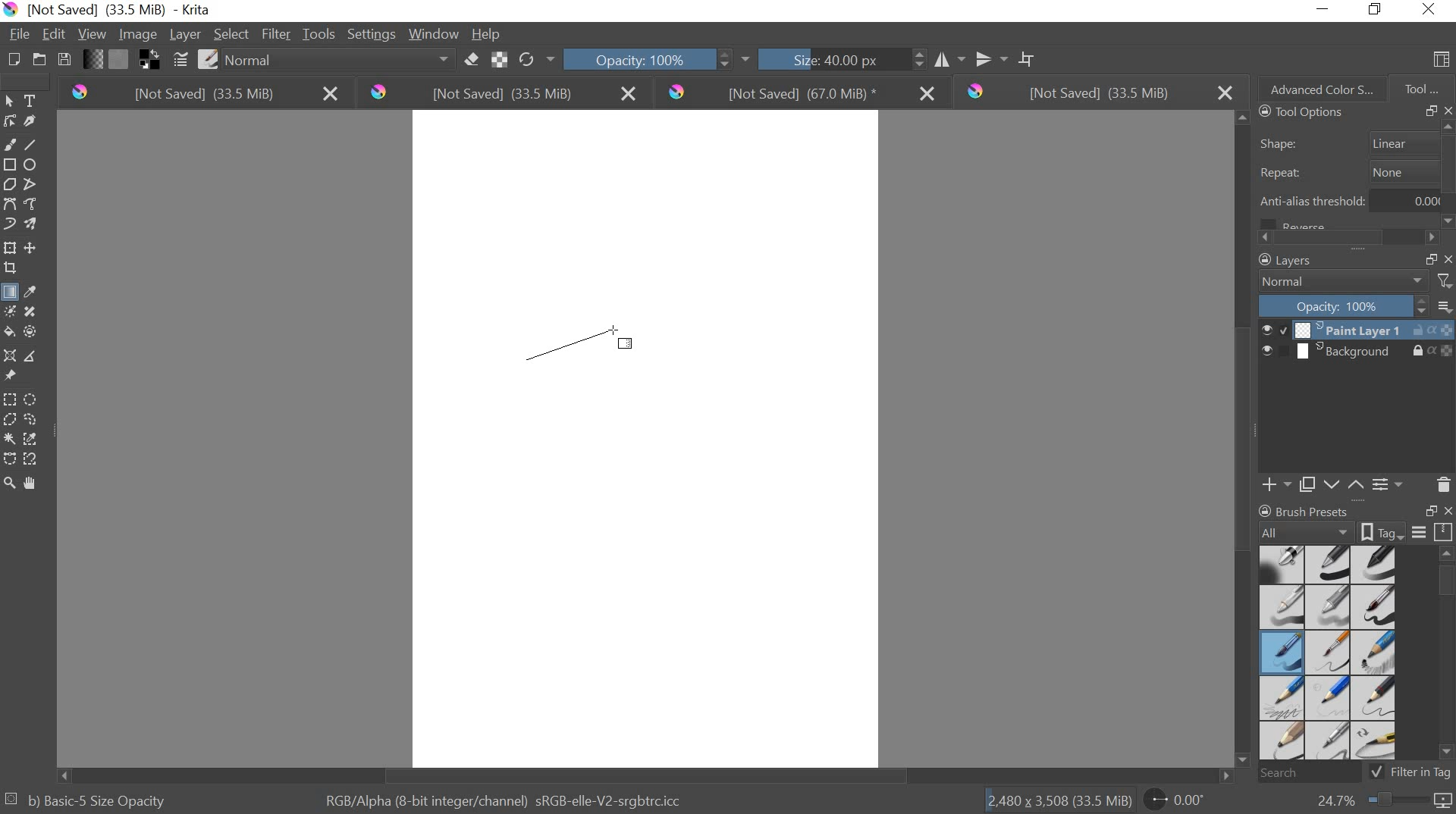 The width and height of the screenshot is (1456, 814). I want to click on multibrush tool, so click(33, 222).